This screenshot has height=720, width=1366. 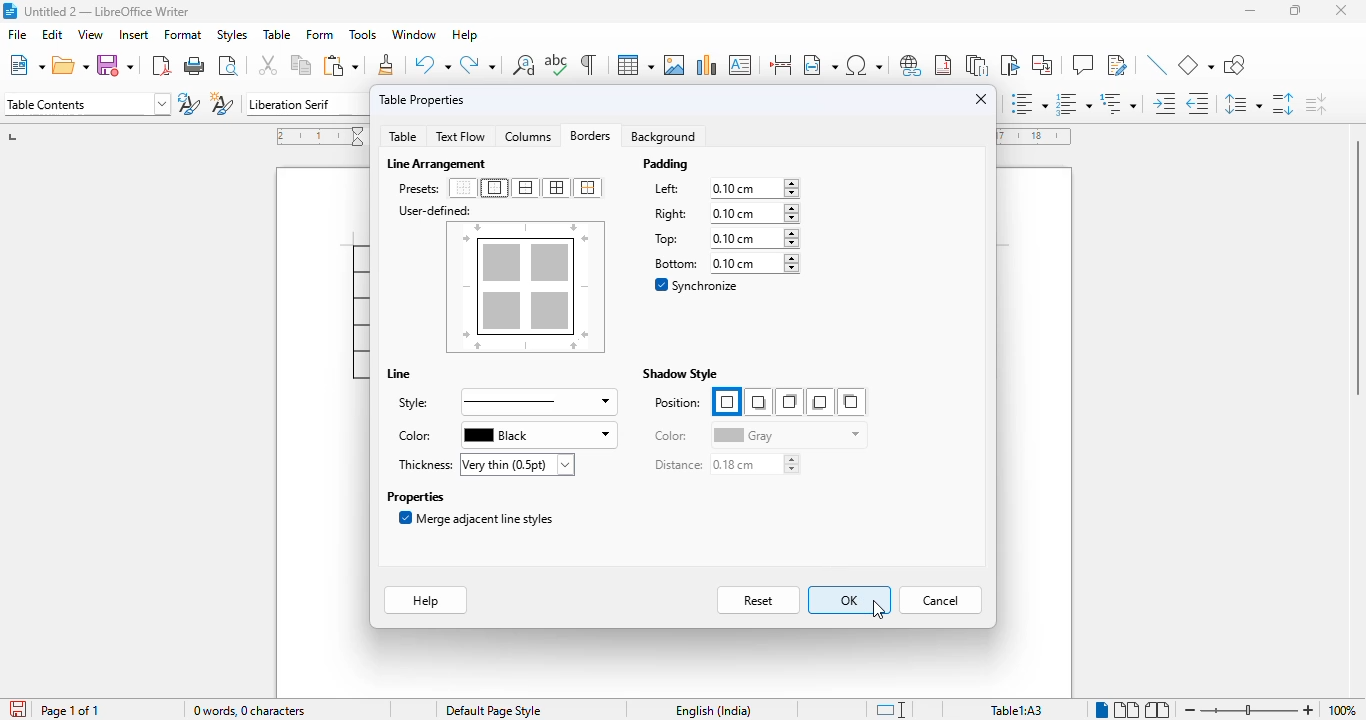 What do you see at coordinates (416, 35) in the screenshot?
I see `window` at bounding box center [416, 35].